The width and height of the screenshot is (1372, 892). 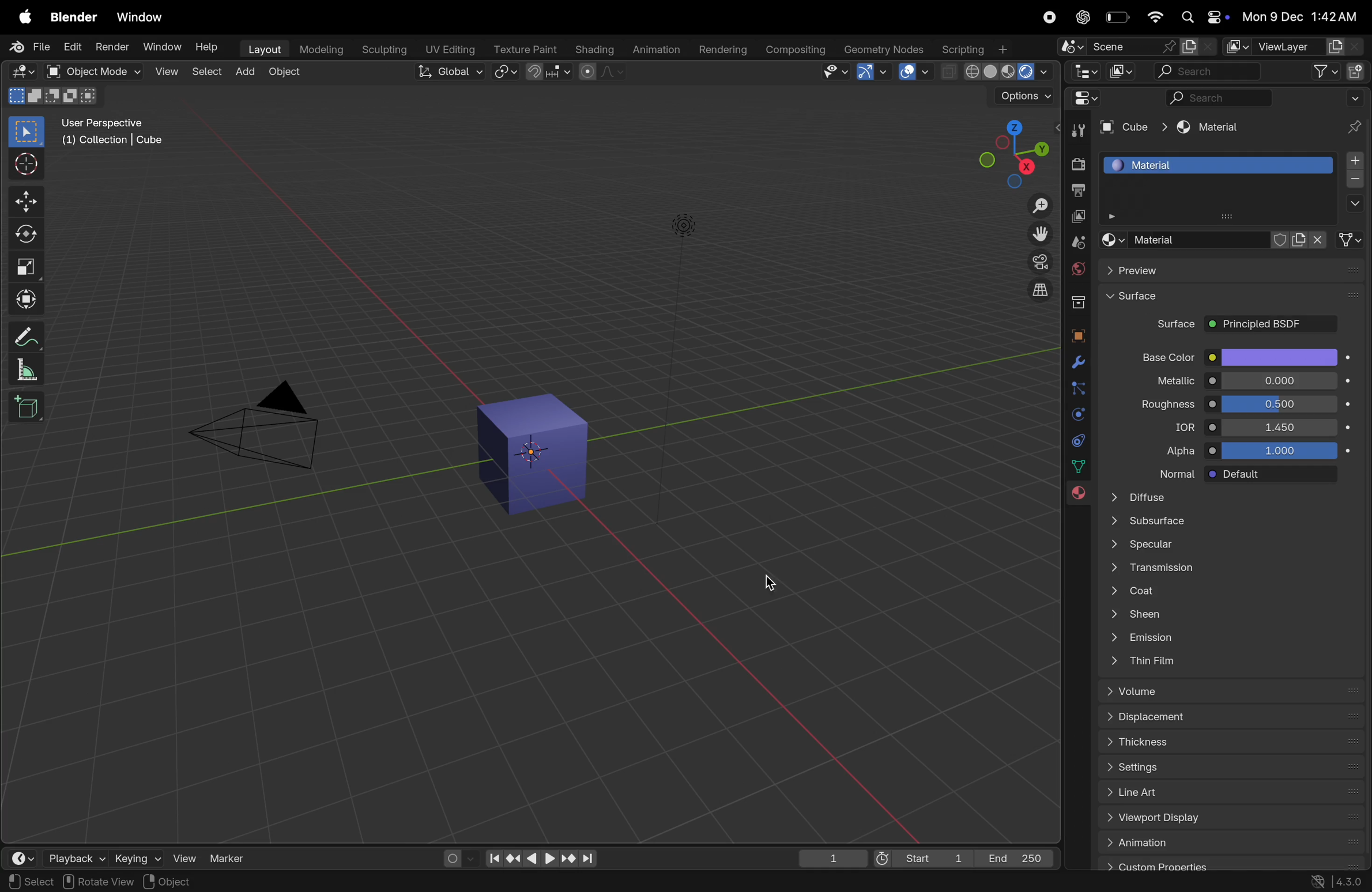 What do you see at coordinates (1231, 662) in the screenshot?
I see `this fan` at bounding box center [1231, 662].